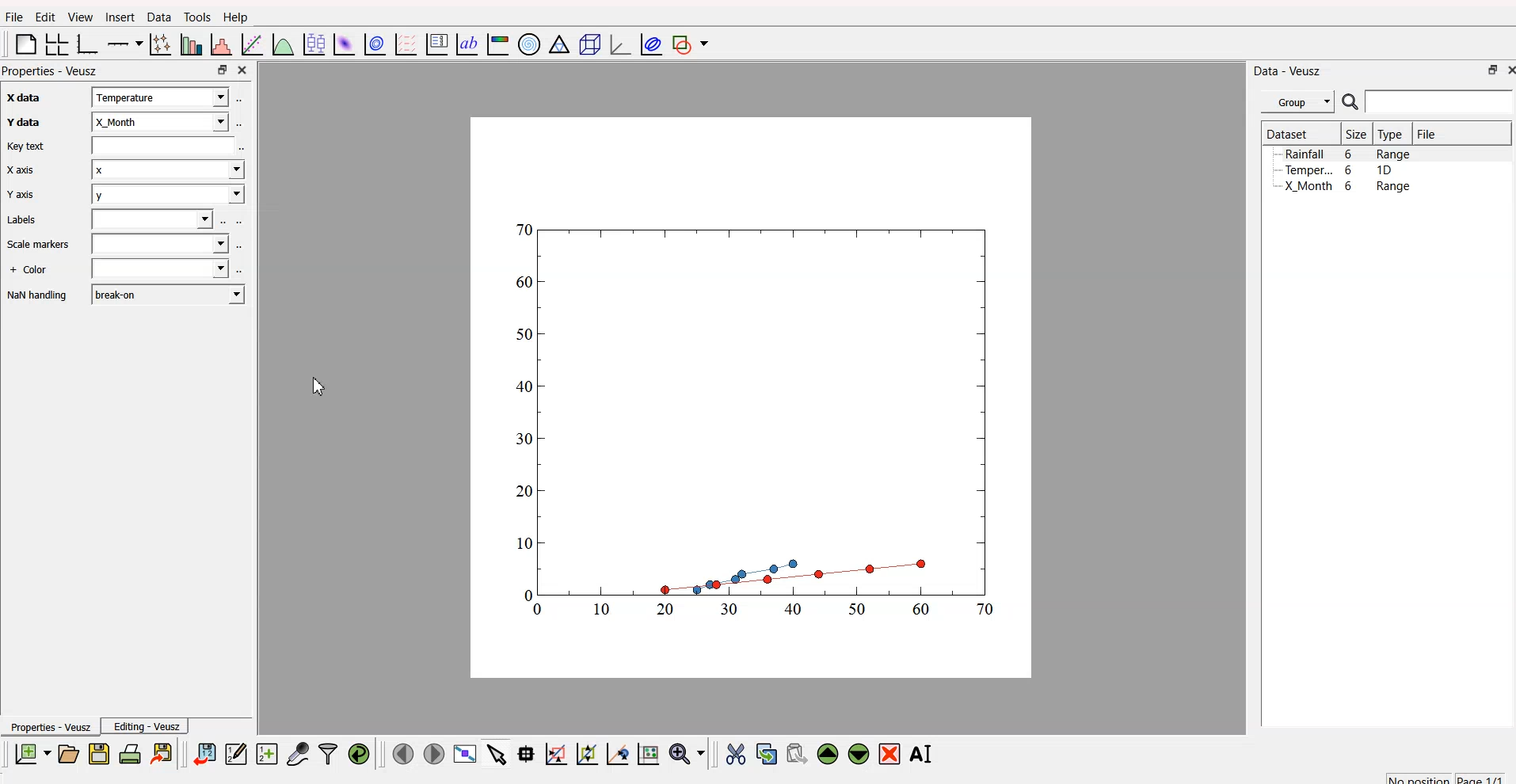  I want to click on + Color, so click(30, 271).